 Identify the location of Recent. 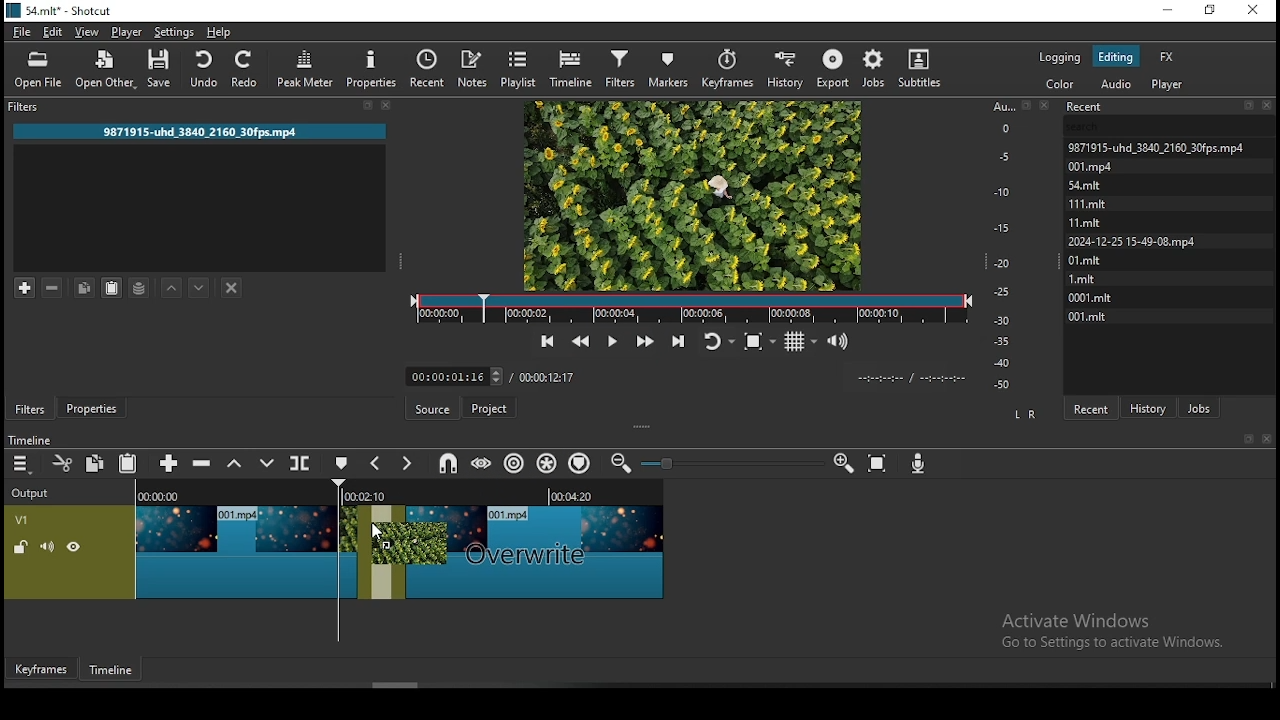
(1171, 107).